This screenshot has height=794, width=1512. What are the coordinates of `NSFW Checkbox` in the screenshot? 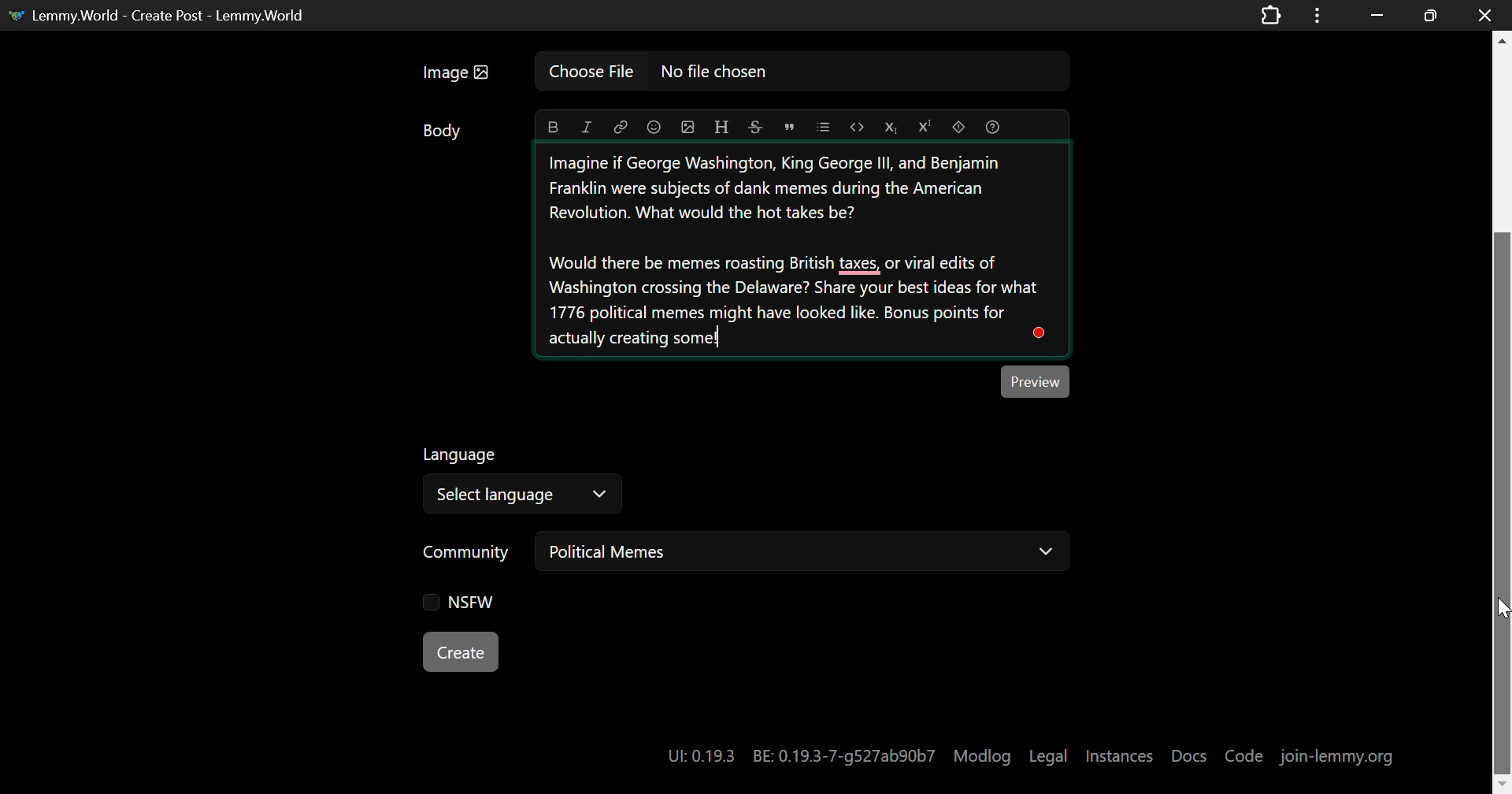 It's located at (463, 599).